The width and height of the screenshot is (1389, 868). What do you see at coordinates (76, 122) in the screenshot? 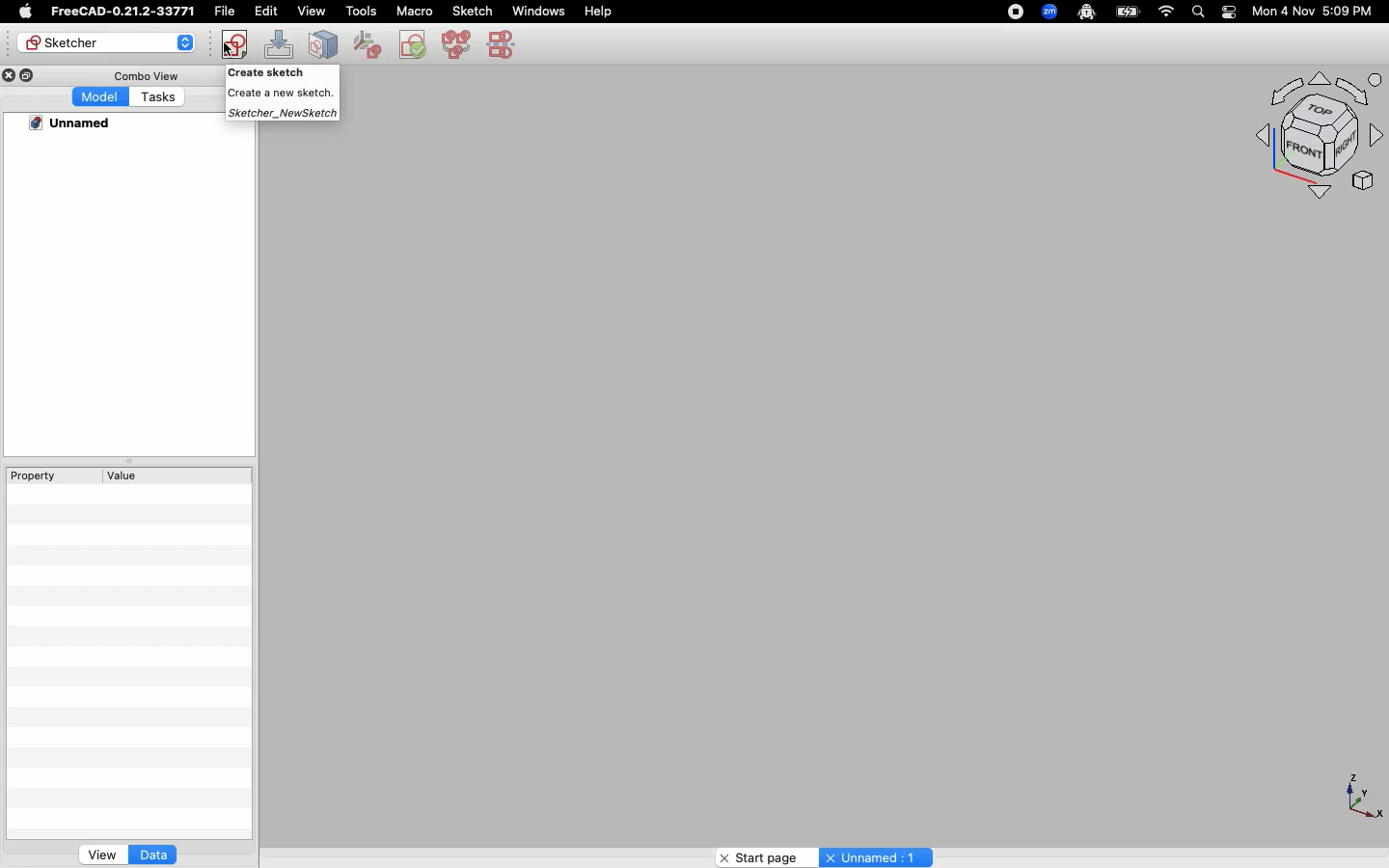
I see `Unnamed` at bounding box center [76, 122].